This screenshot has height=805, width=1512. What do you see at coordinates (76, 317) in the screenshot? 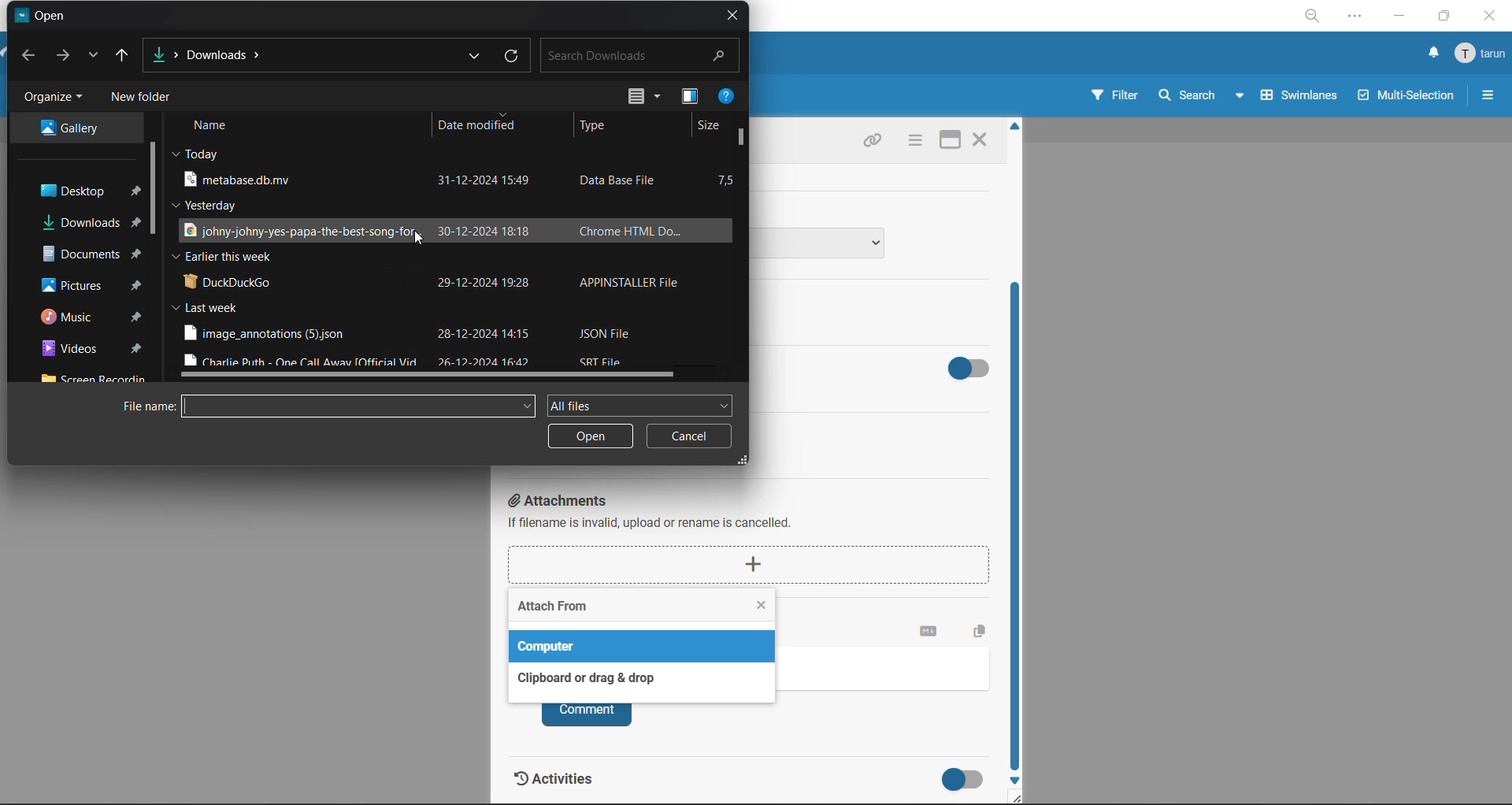
I see `music` at bounding box center [76, 317].